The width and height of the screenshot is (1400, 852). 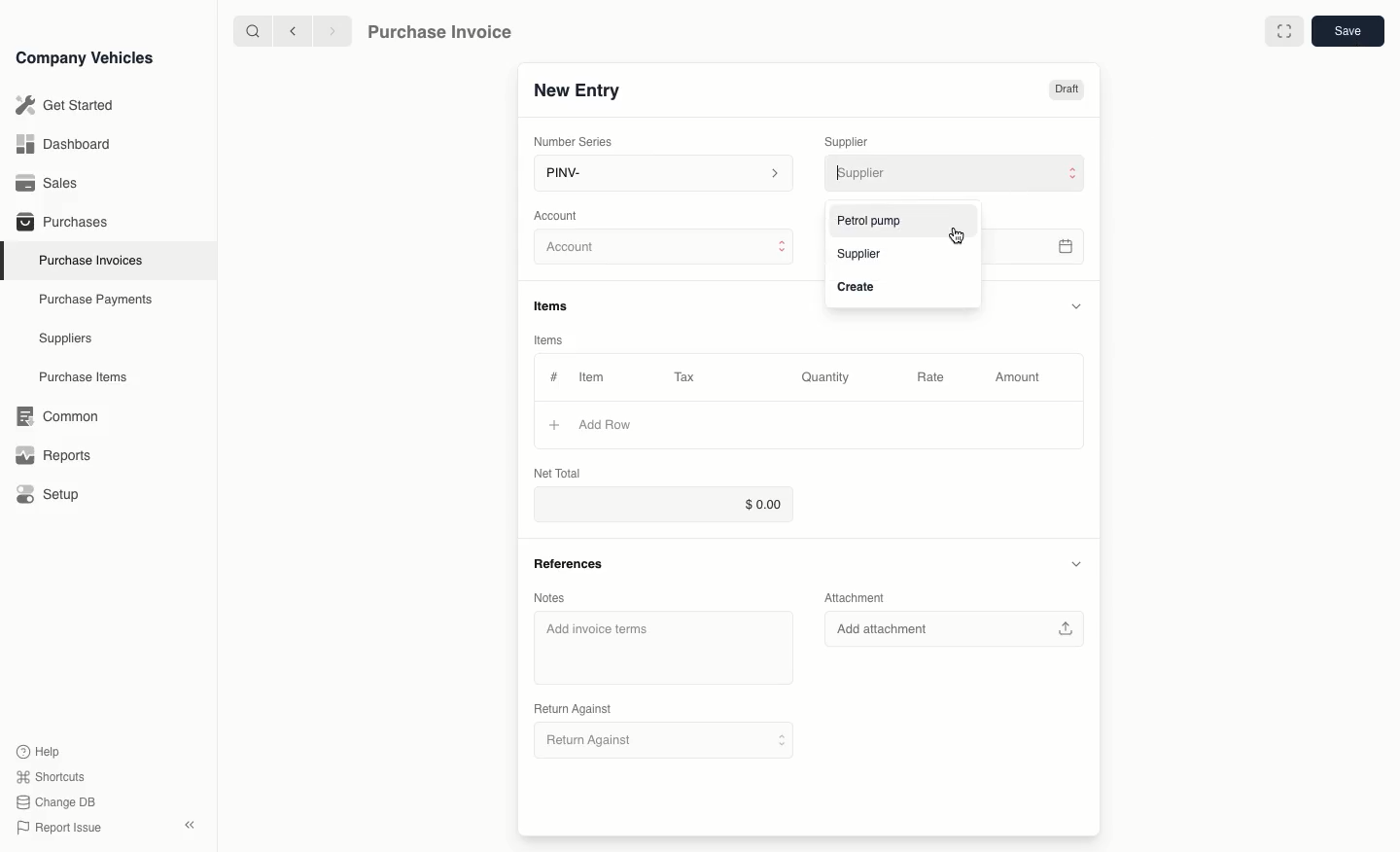 What do you see at coordinates (553, 307) in the screenshot?
I see `items` at bounding box center [553, 307].